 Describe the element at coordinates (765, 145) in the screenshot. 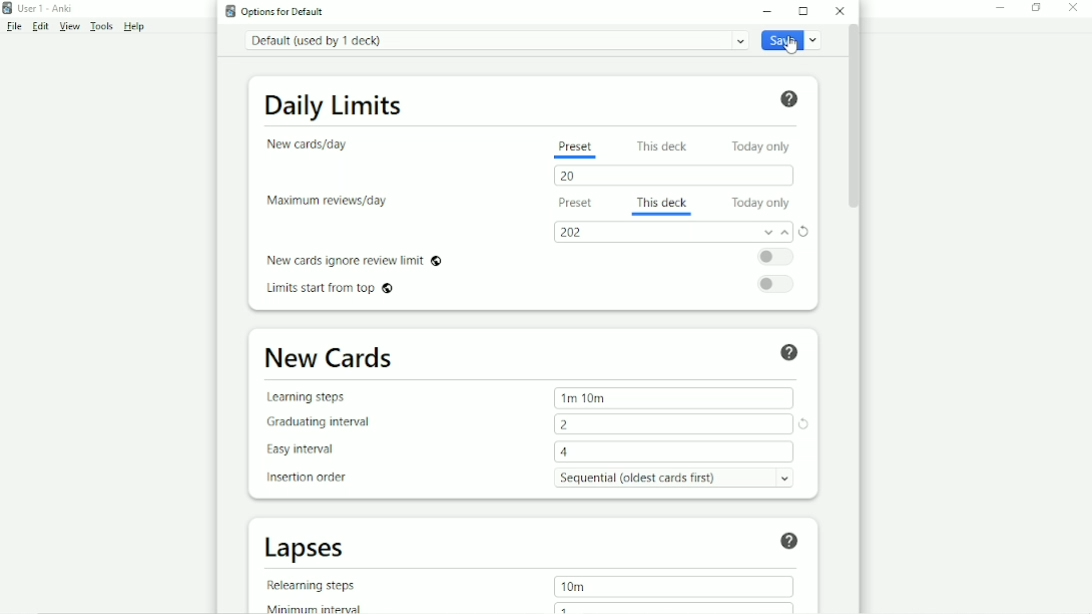

I see `Today only` at that location.